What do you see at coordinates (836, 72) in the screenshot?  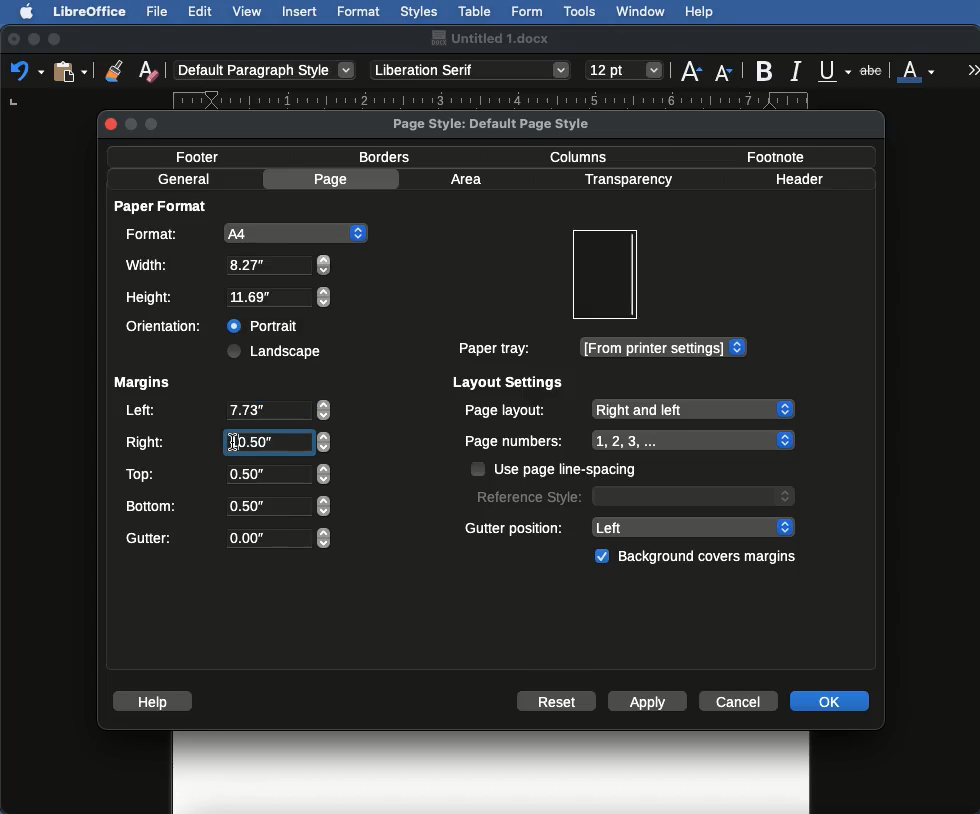 I see `Underline` at bounding box center [836, 72].